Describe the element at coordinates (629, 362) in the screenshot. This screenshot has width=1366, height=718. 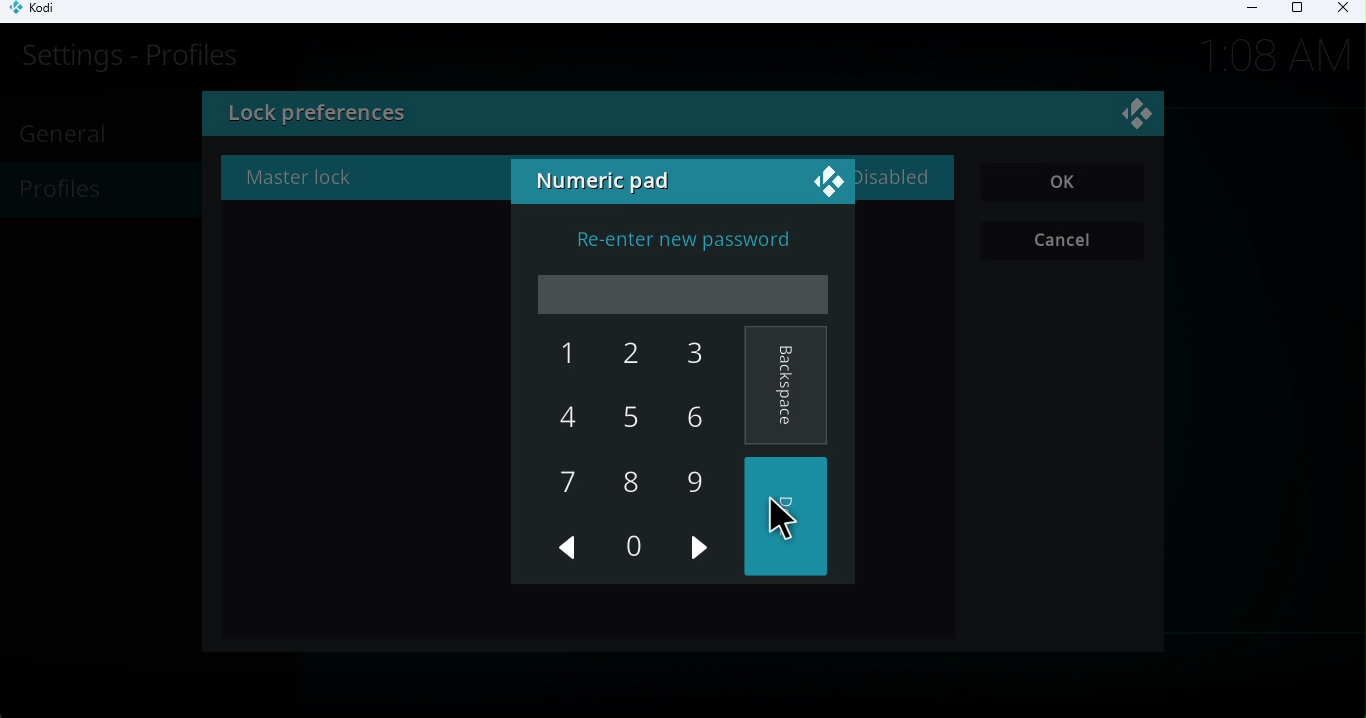
I see `2` at that location.